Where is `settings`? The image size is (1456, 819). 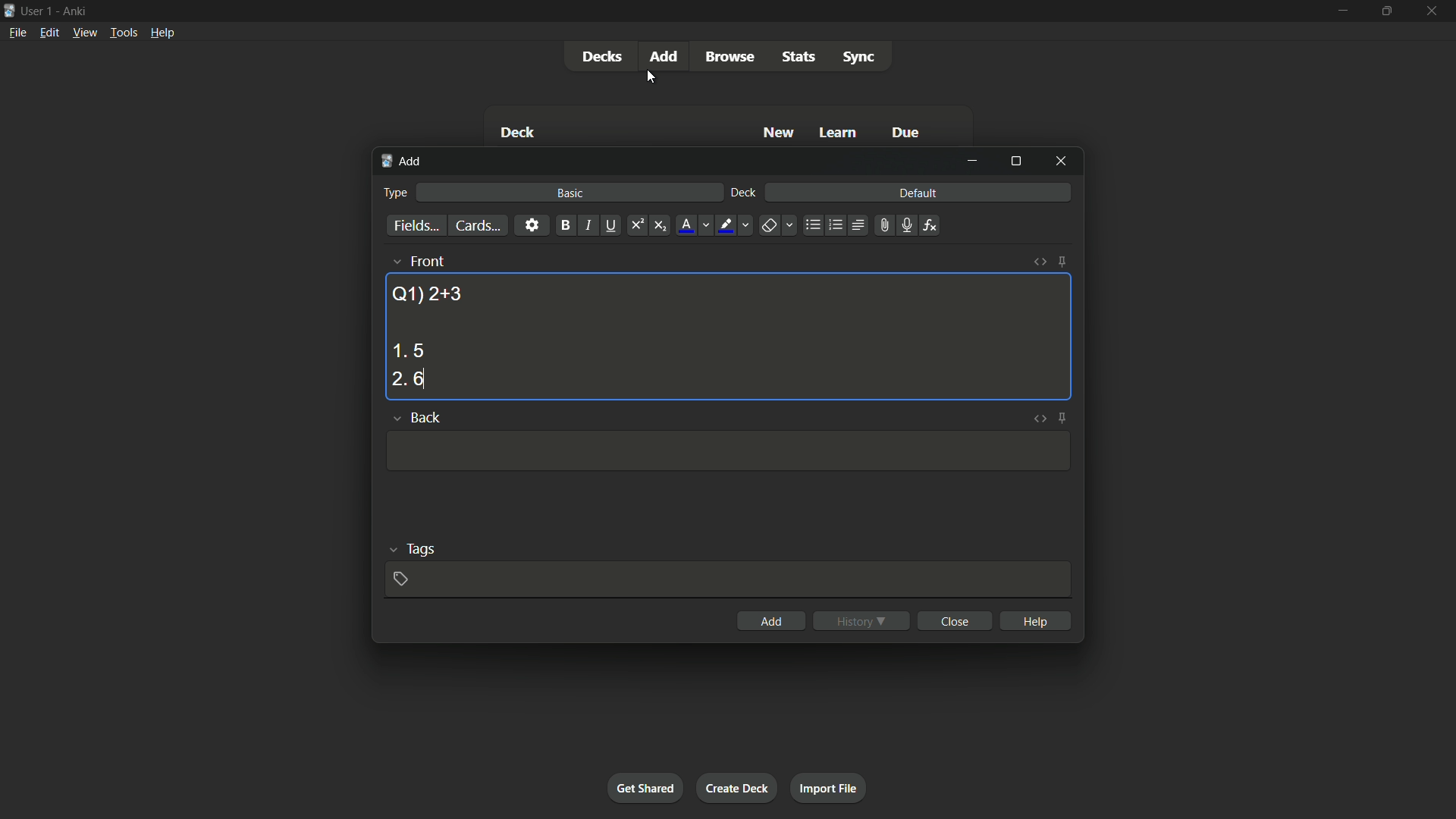 settings is located at coordinates (532, 224).